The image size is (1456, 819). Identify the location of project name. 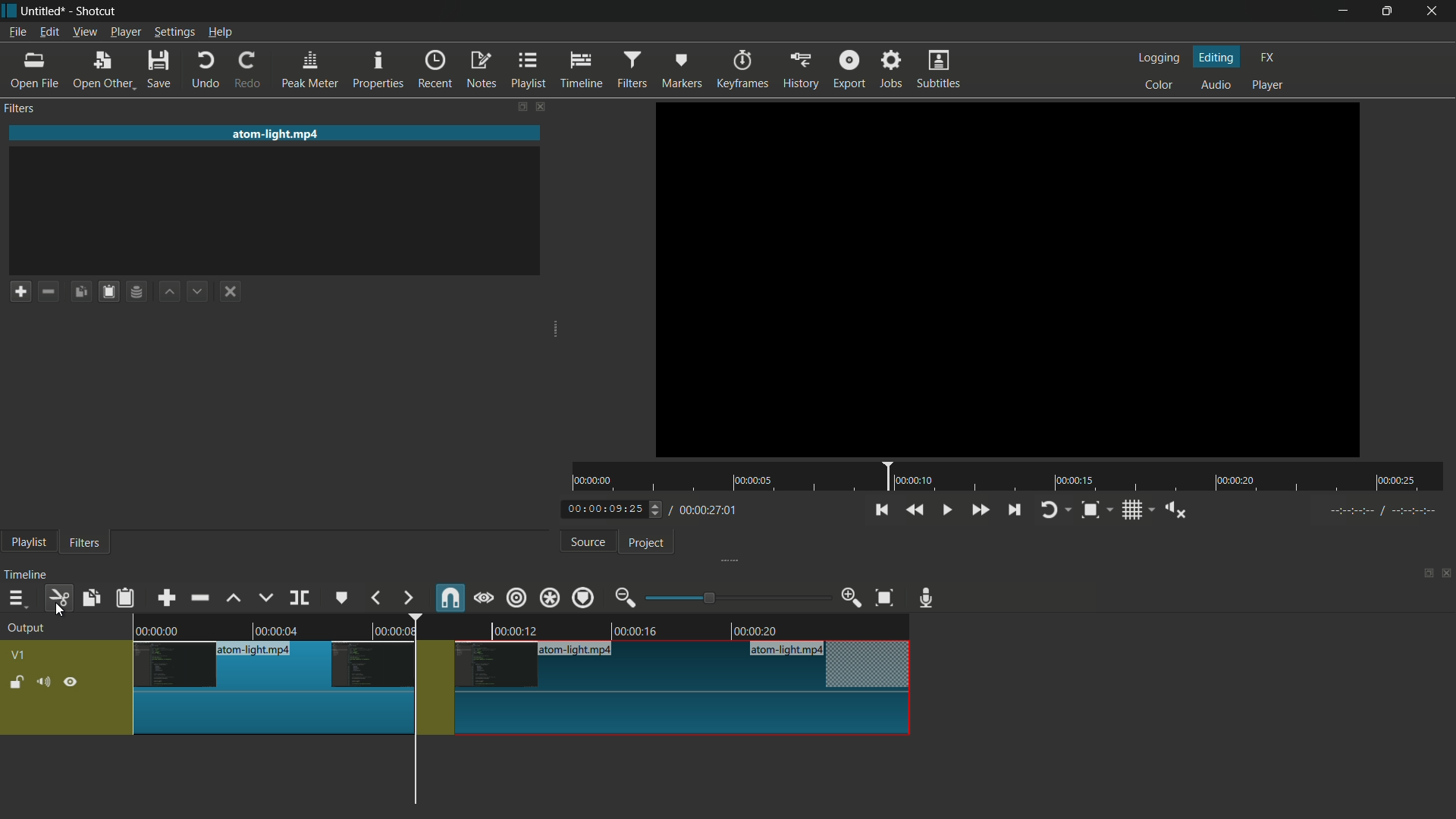
(46, 11).